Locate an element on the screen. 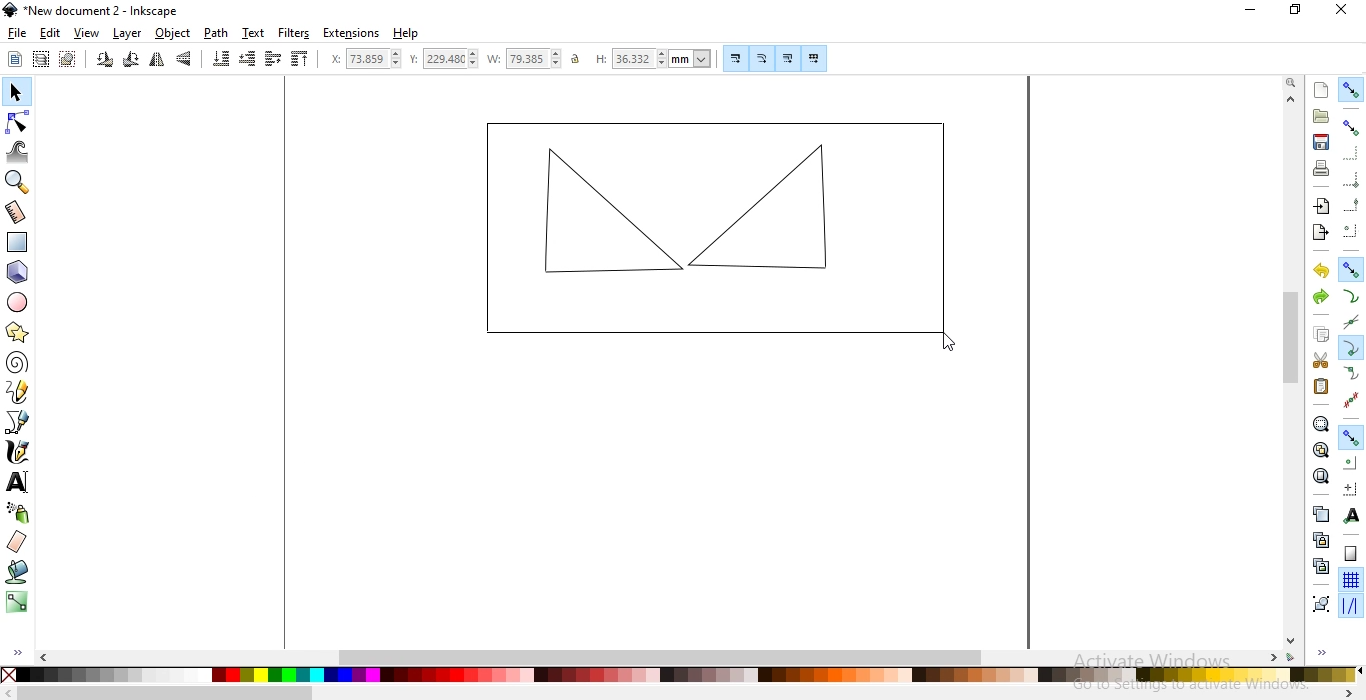 The width and height of the screenshot is (1366, 700). create and edit gradients is located at coordinates (15, 602).